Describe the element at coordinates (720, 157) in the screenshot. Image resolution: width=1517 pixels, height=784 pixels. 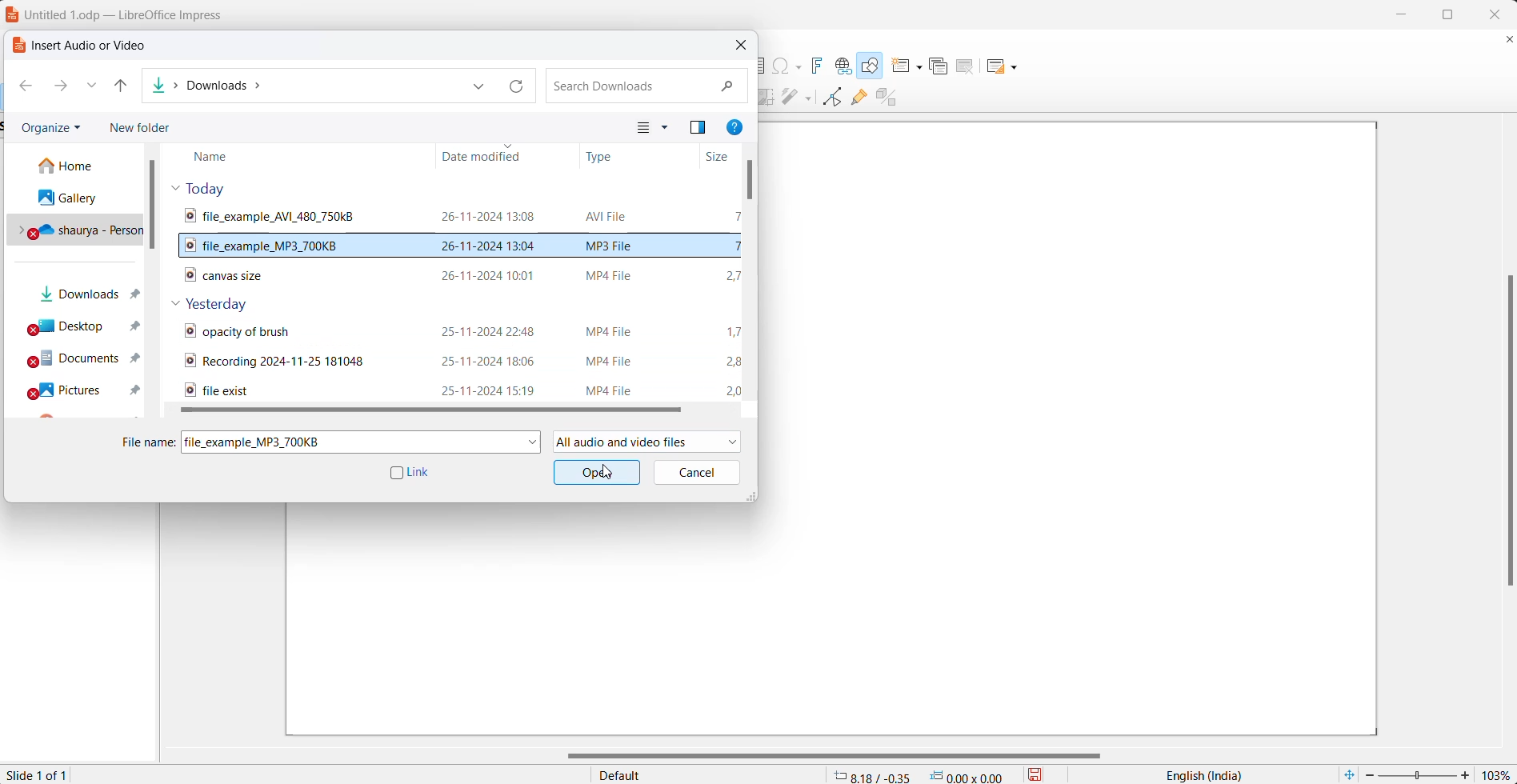
I see `size` at that location.